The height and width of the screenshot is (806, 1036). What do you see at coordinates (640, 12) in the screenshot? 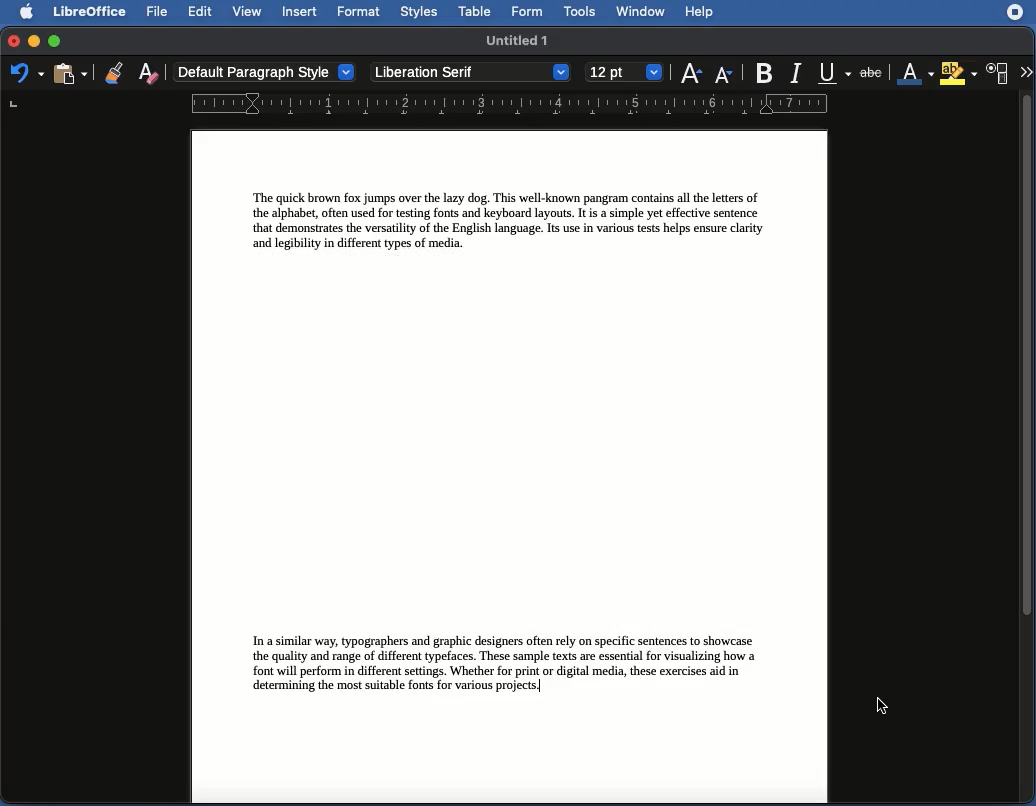
I see `Window` at bounding box center [640, 12].